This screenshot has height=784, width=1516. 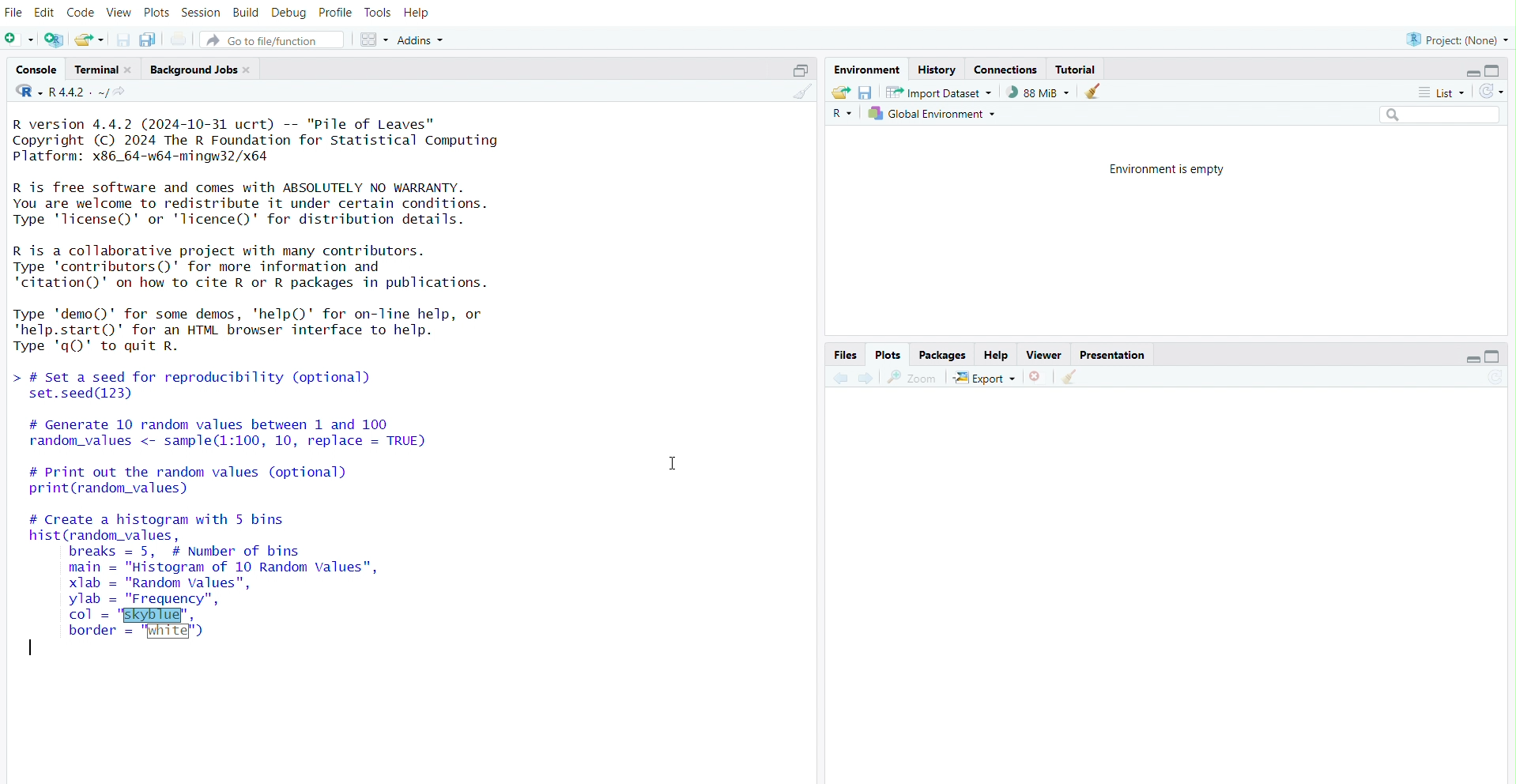 What do you see at coordinates (88, 39) in the screenshot?
I see `open an existing file` at bounding box center [88, 39].